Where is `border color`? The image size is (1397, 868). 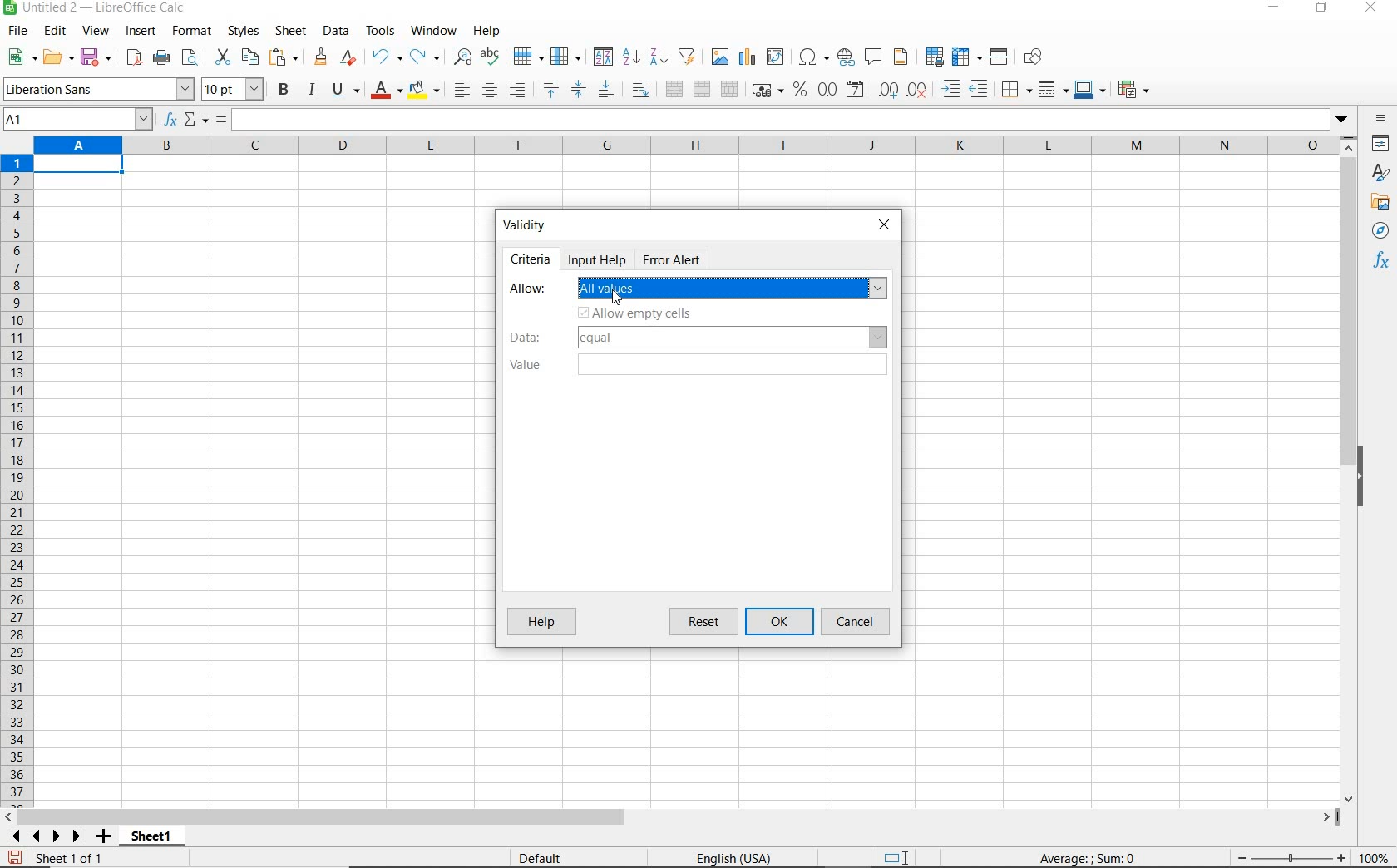 border color is located at coordinates (1089, 89).